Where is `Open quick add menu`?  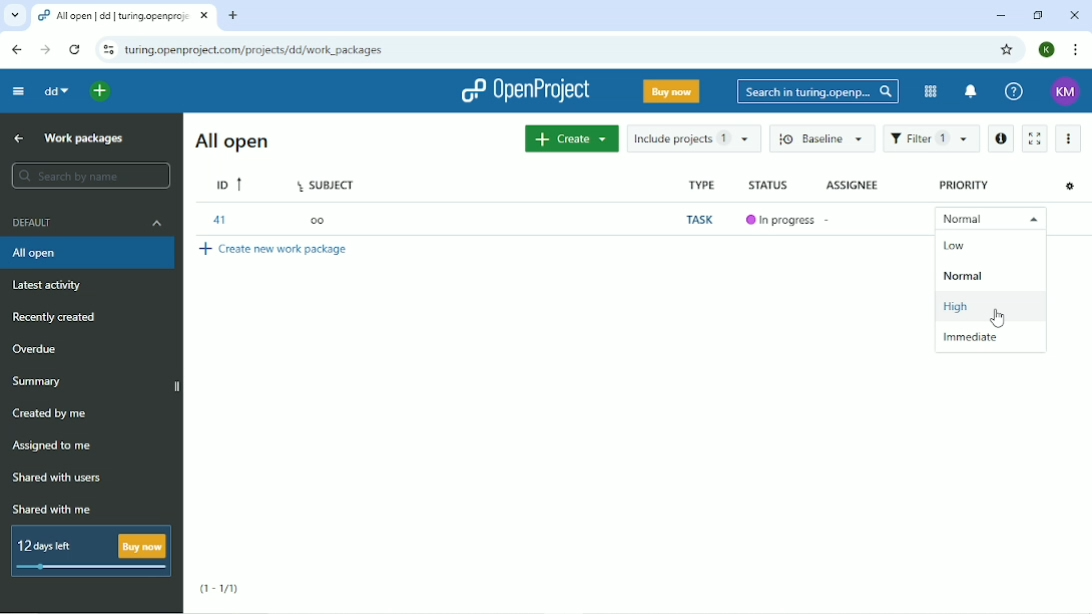 Open quick add menu is located at coordinates (101, 91).